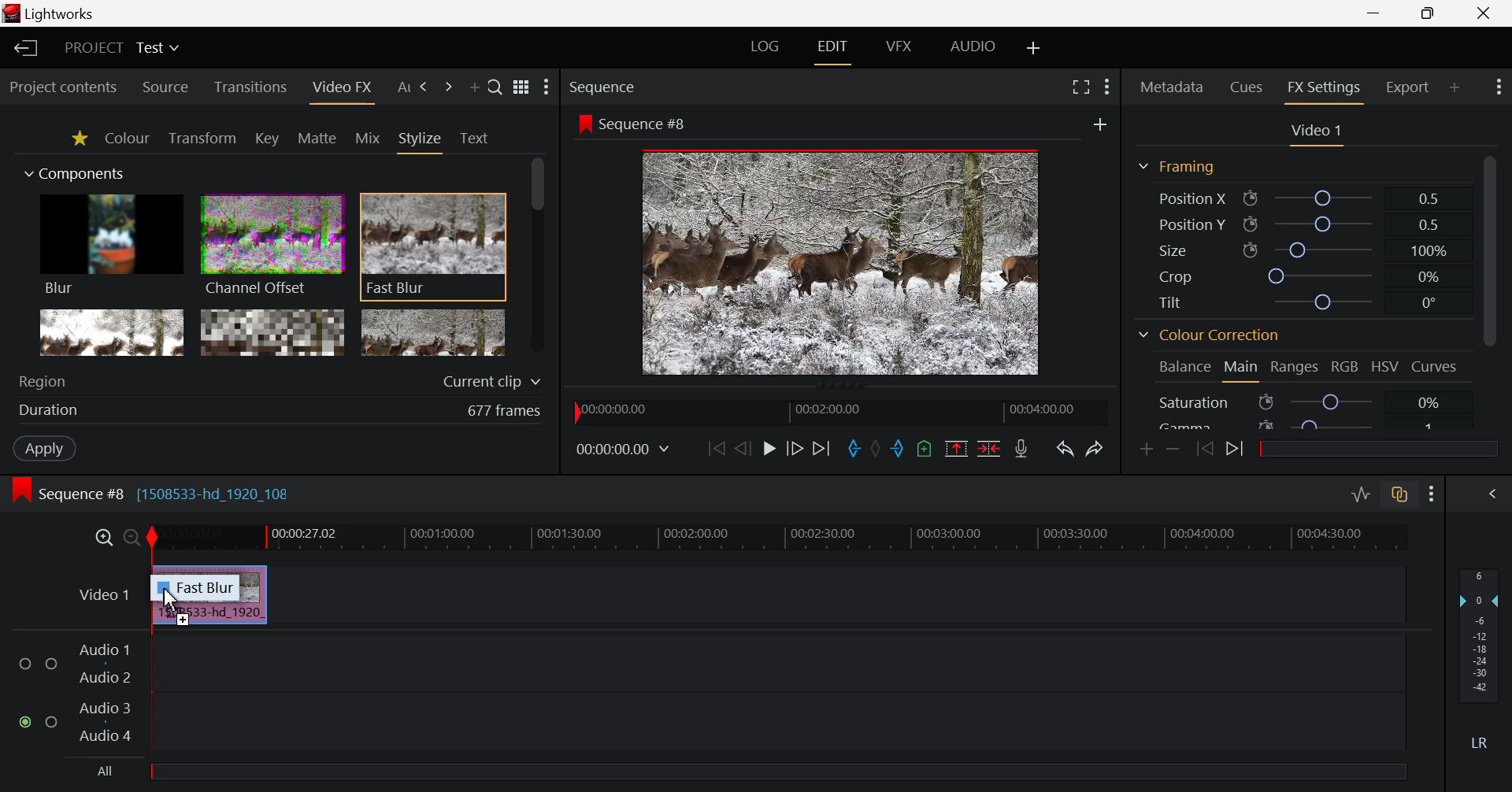 This screenshot has width=1512, height=792. I want to click on Redo, so click(1096, 450).